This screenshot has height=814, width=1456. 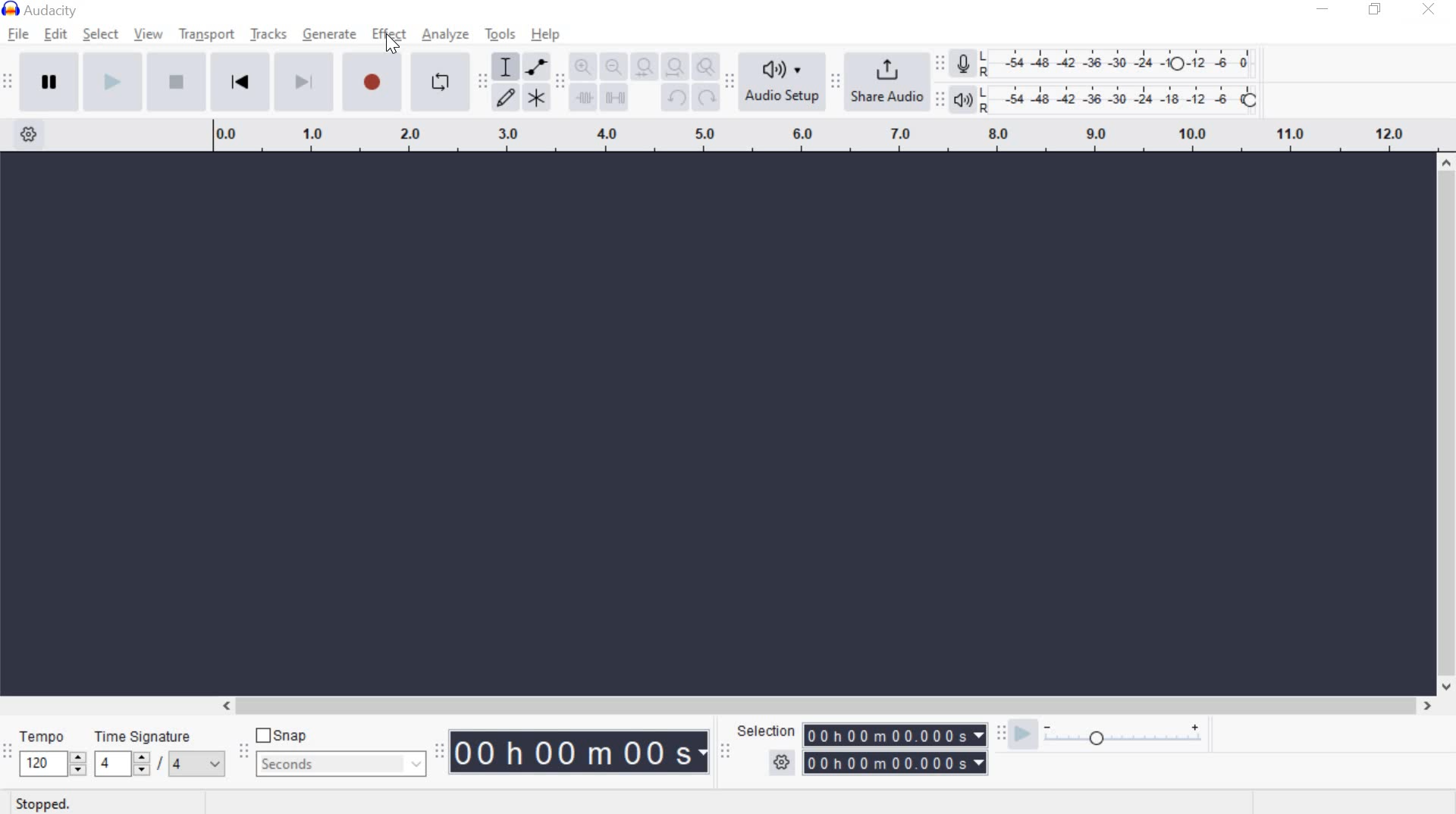 What do you see at coordinates (344, 765) in the screenshot?
I see `seconds` at bounding box center [344, 765].